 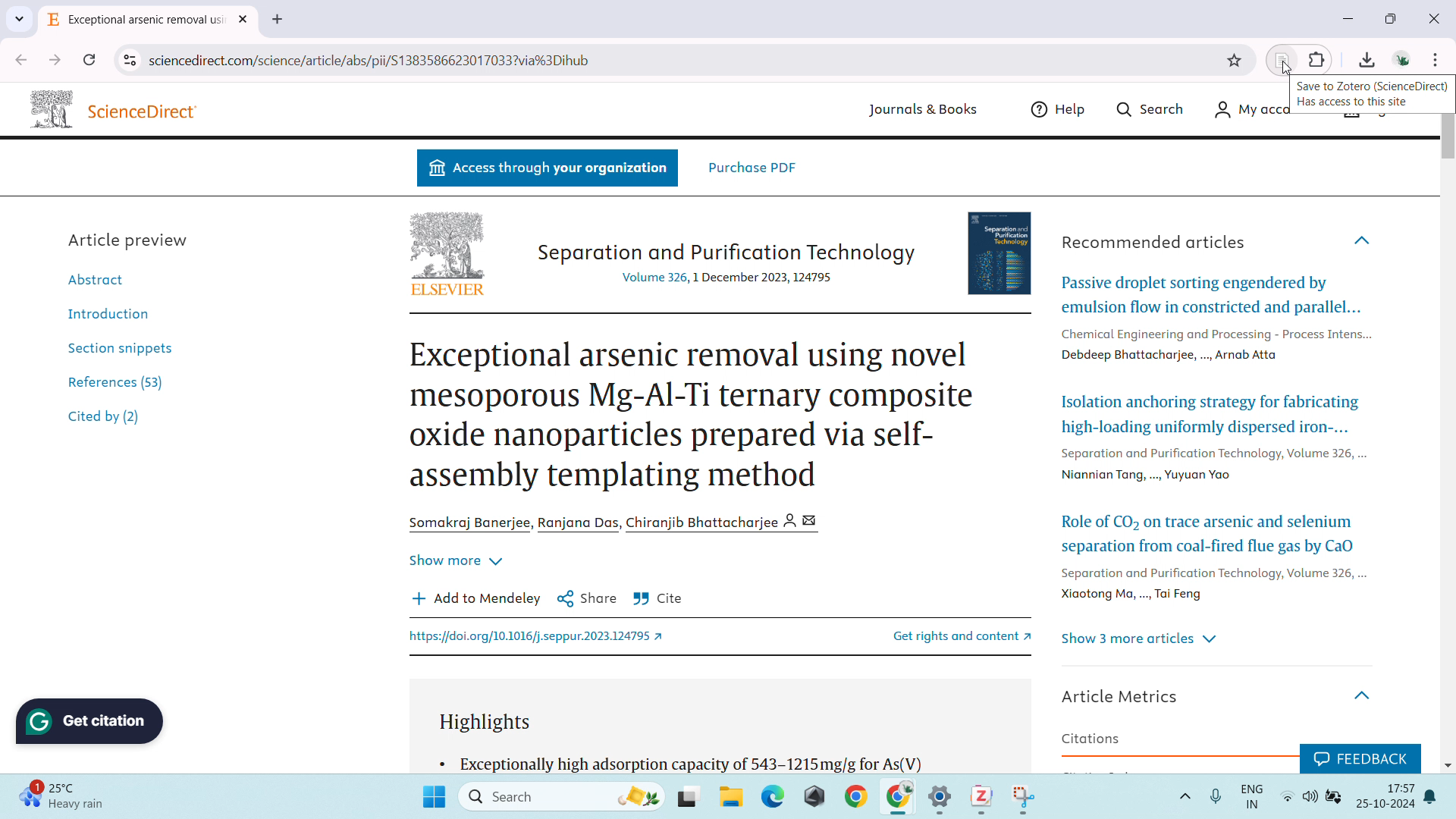 I want to click on scrollbar, so click(x=1446, y=137).